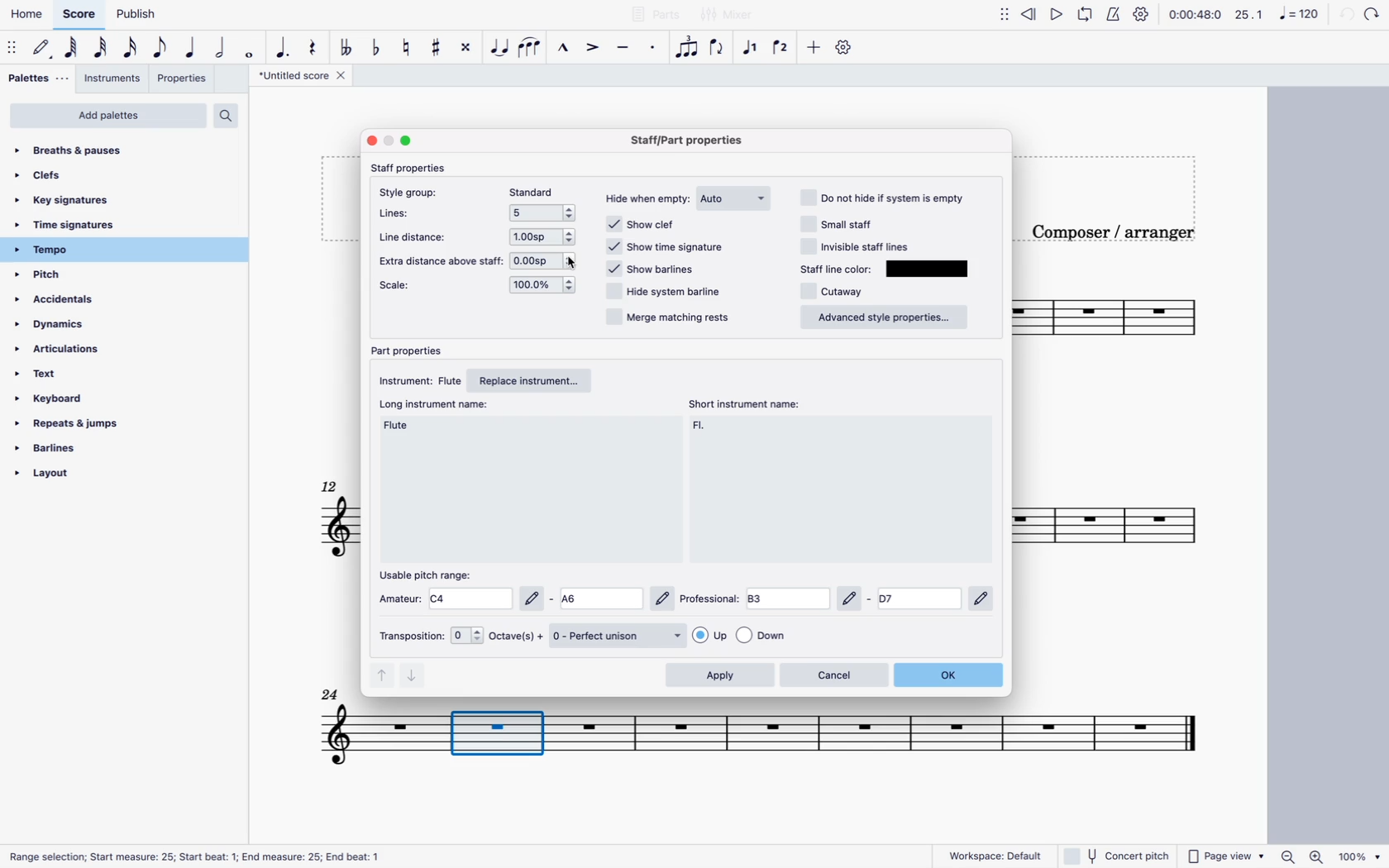 Image resolution: width=1389 pixels, height=868 pixels. I want to click on score, so click(908, 736).